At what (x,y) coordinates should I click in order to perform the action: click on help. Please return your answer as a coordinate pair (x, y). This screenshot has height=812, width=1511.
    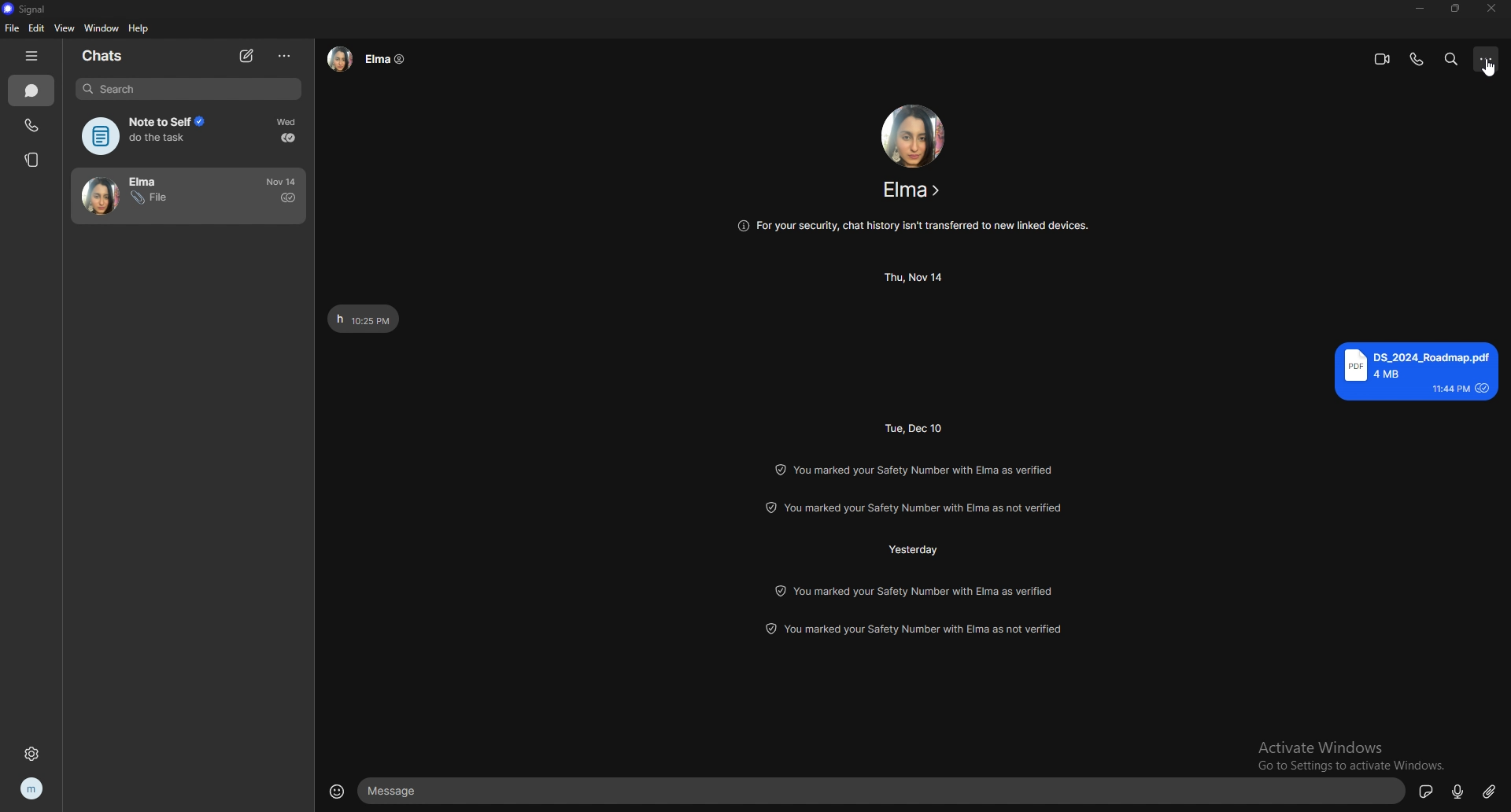
    Looking at the image, I should click on (138, 30).